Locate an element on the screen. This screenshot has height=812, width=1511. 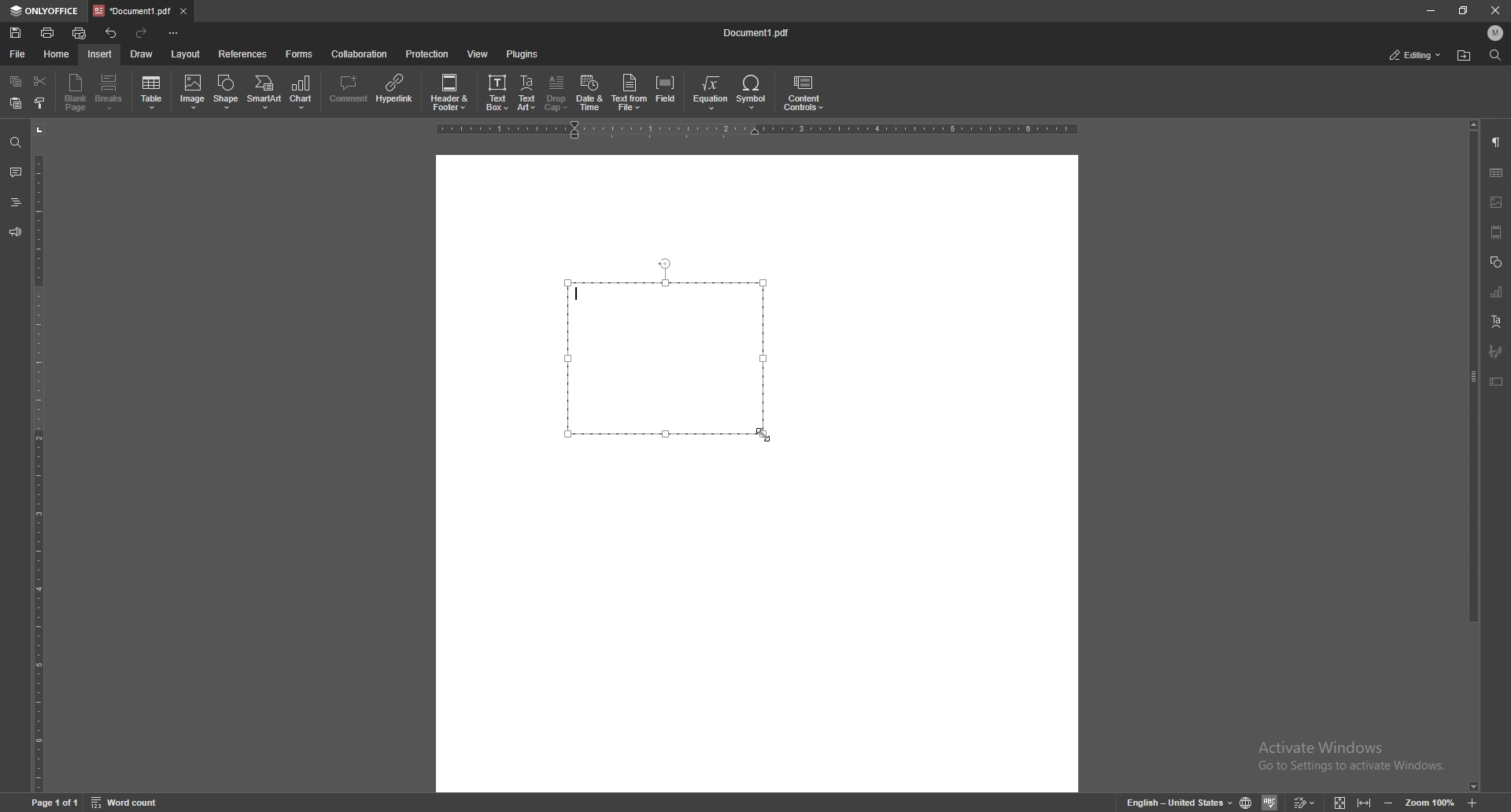
insert is located at coordinates (100, 54).